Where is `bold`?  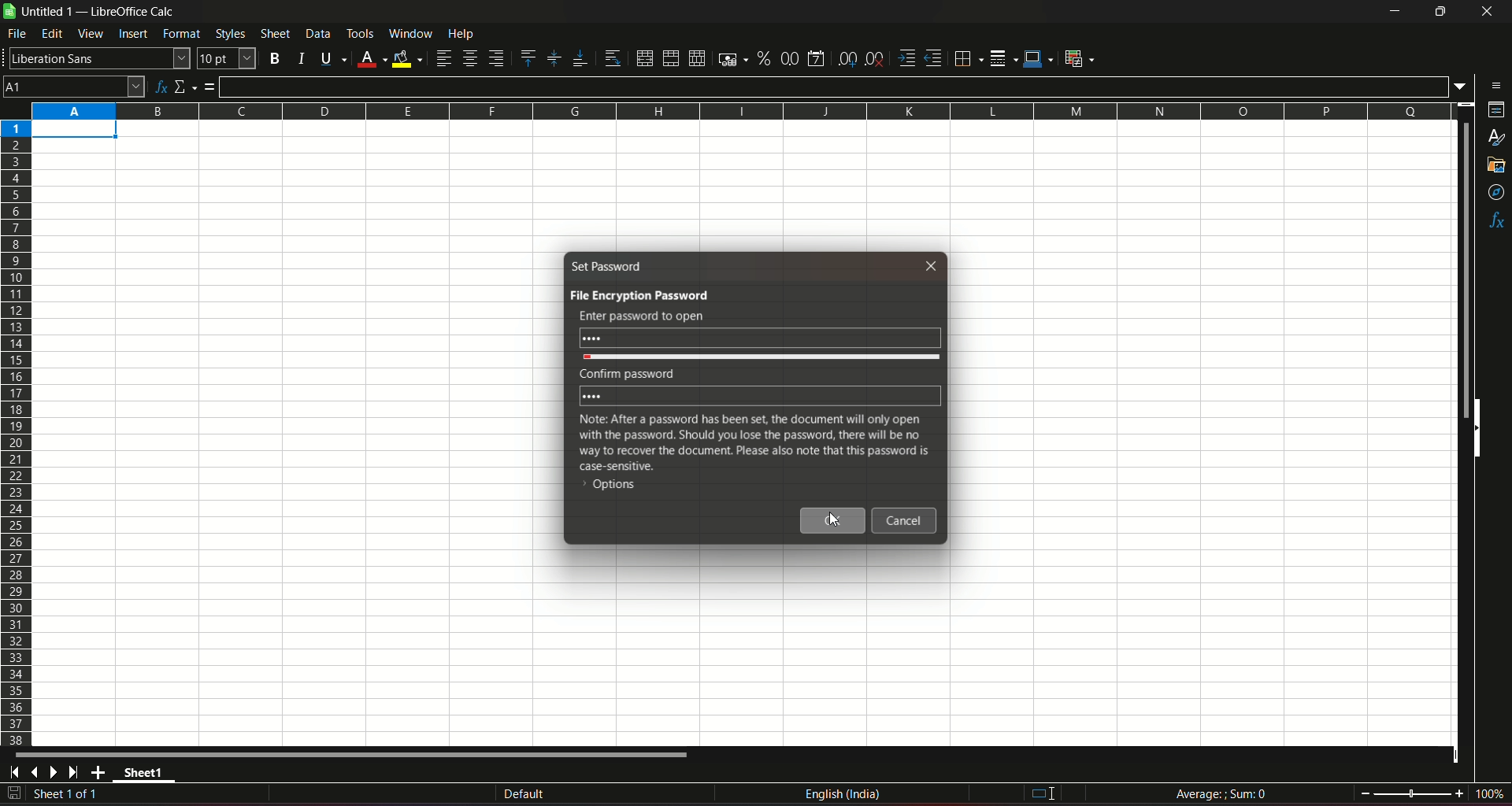
bold is located at coordinates (275, 57).